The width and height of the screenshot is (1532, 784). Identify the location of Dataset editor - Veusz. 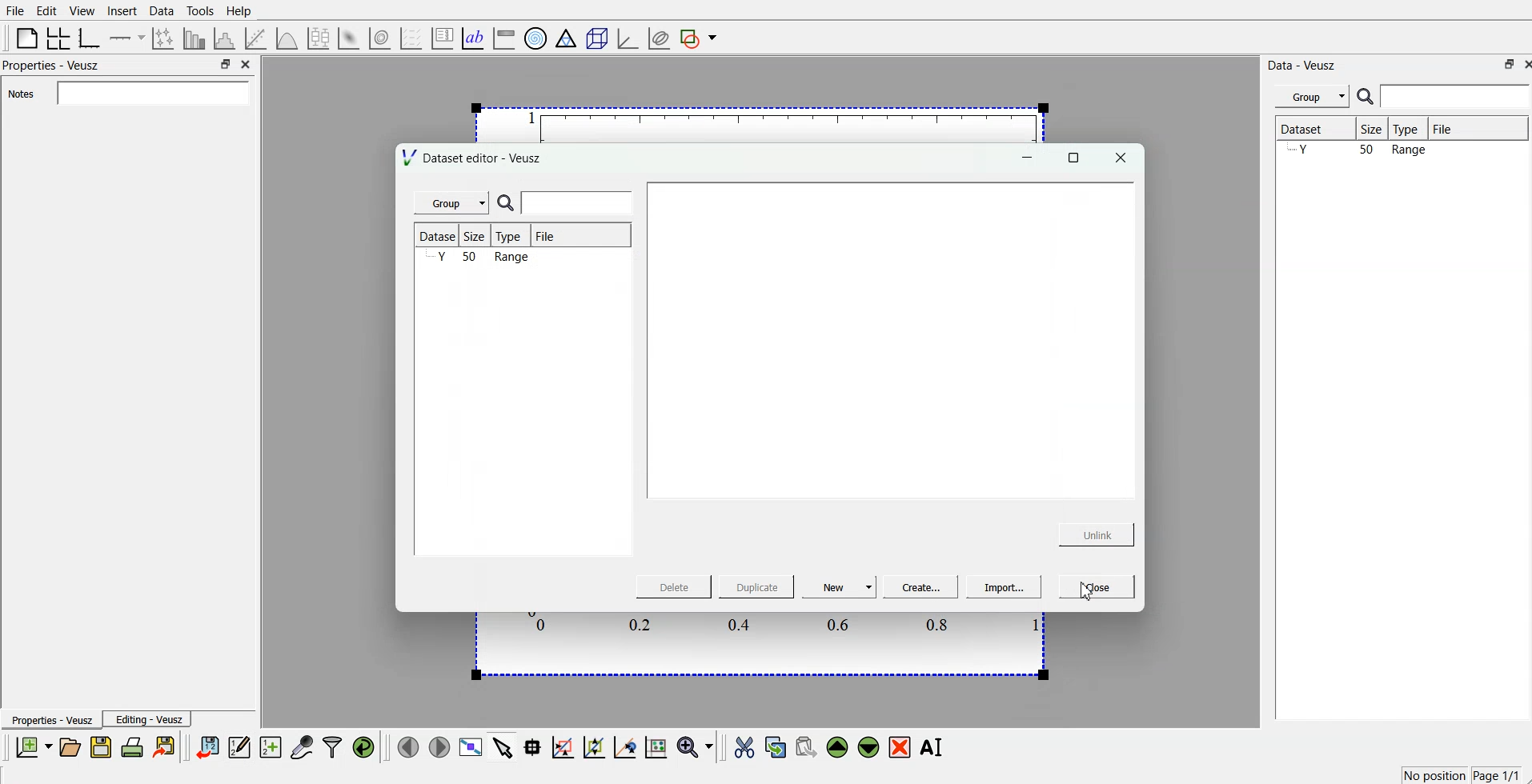
(475, 157).